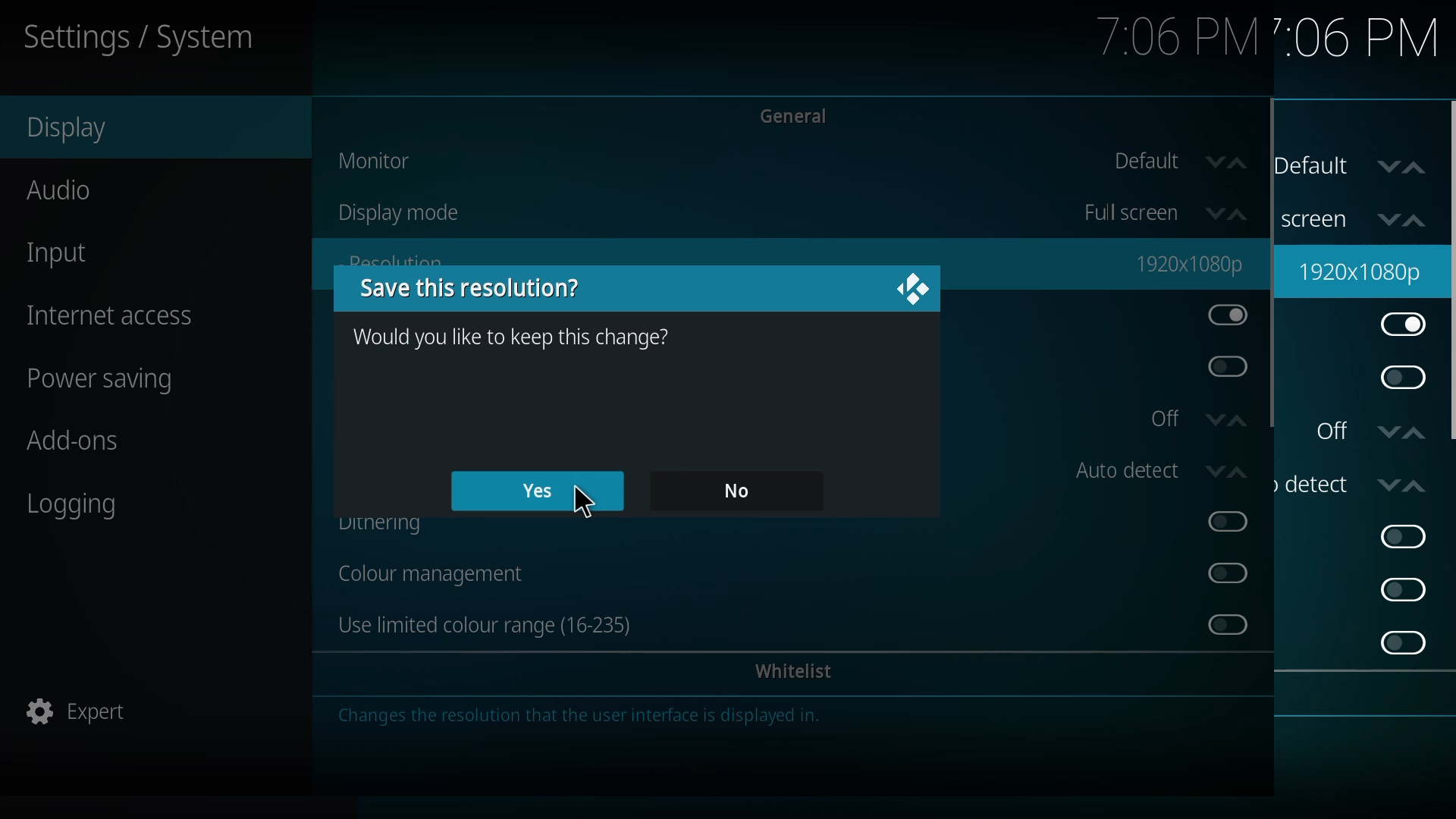 This screenshot has height=819, width=1456. I want to click on internet access, so click(130, 325).